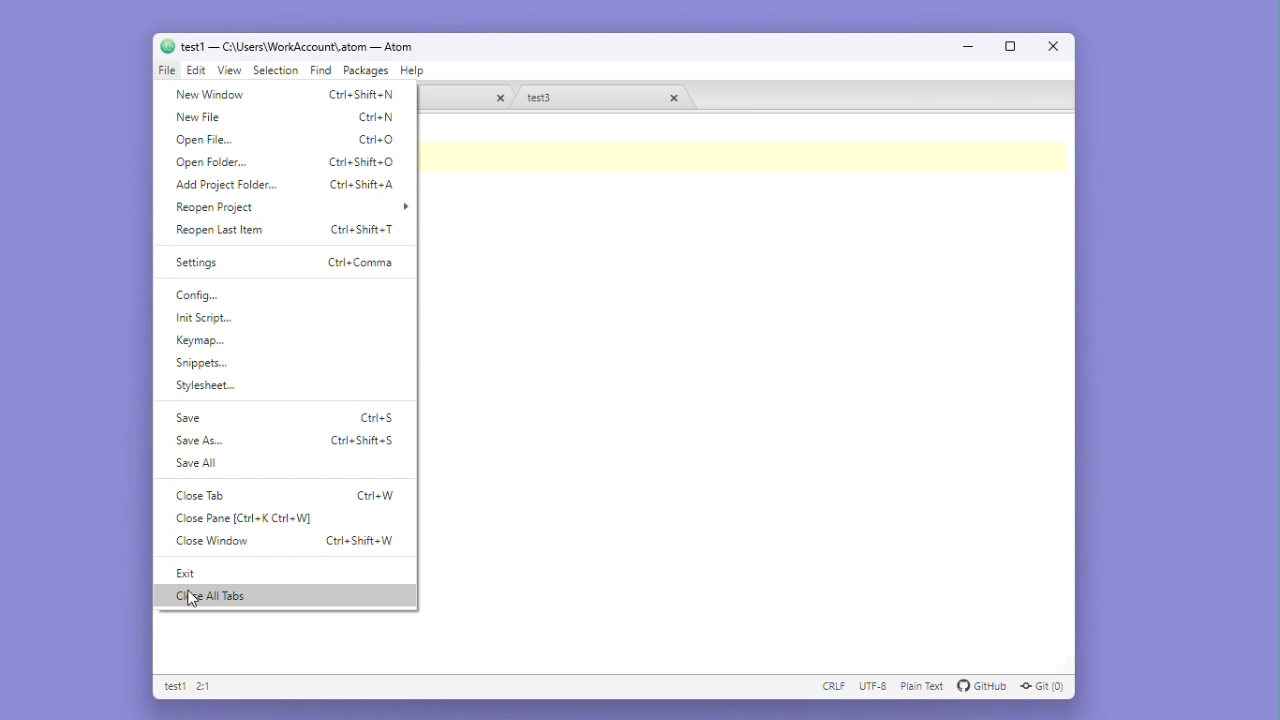 This screenshot has height=720, width=1280. Describe the element at coordinates (216, 183) in the screenshot. I see `Add project folder` at that location.